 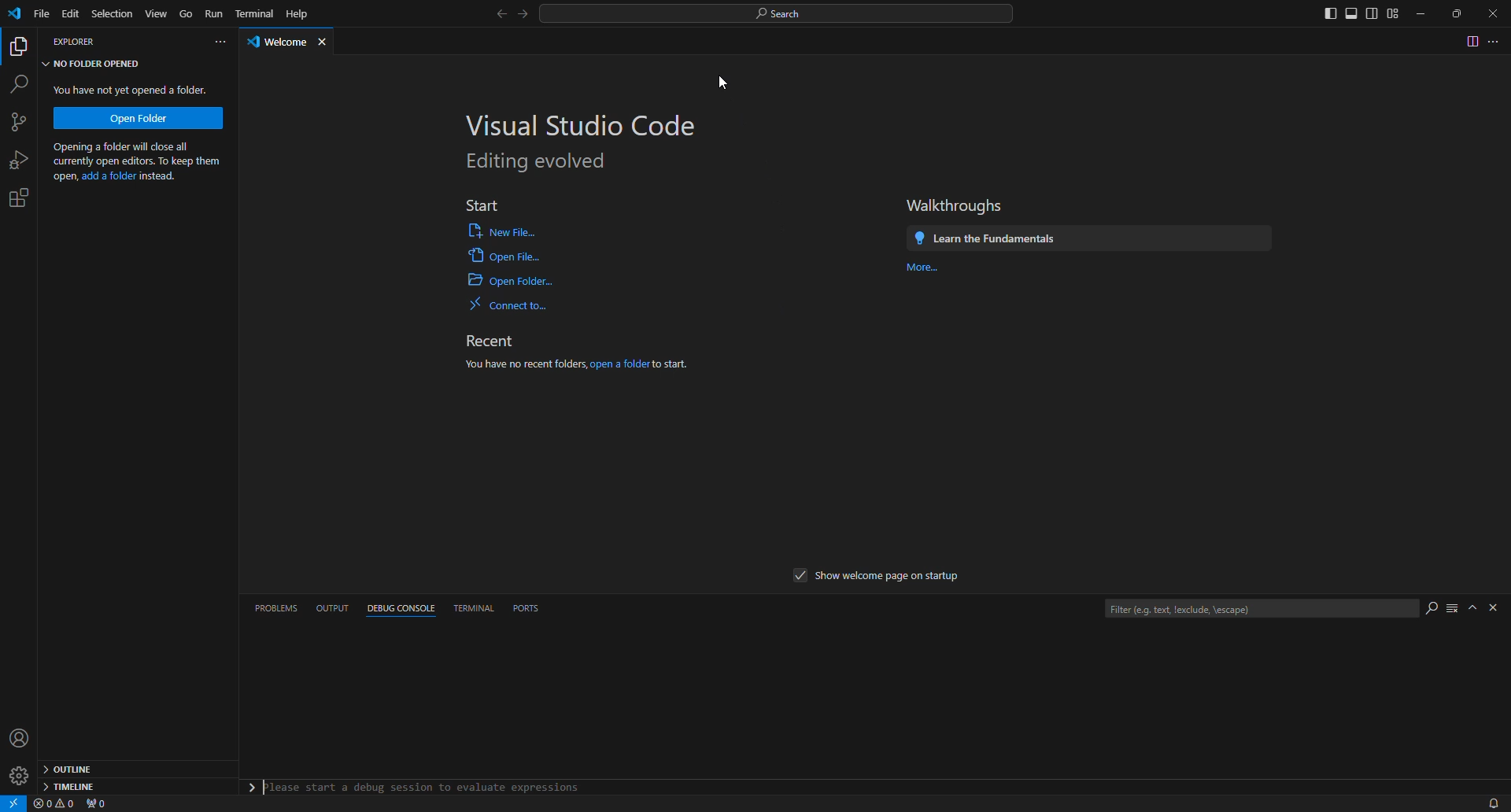 What do you see at coordinates (78, 787) in the screenshot?
I see `timeline` at bounding box center [78, 787].